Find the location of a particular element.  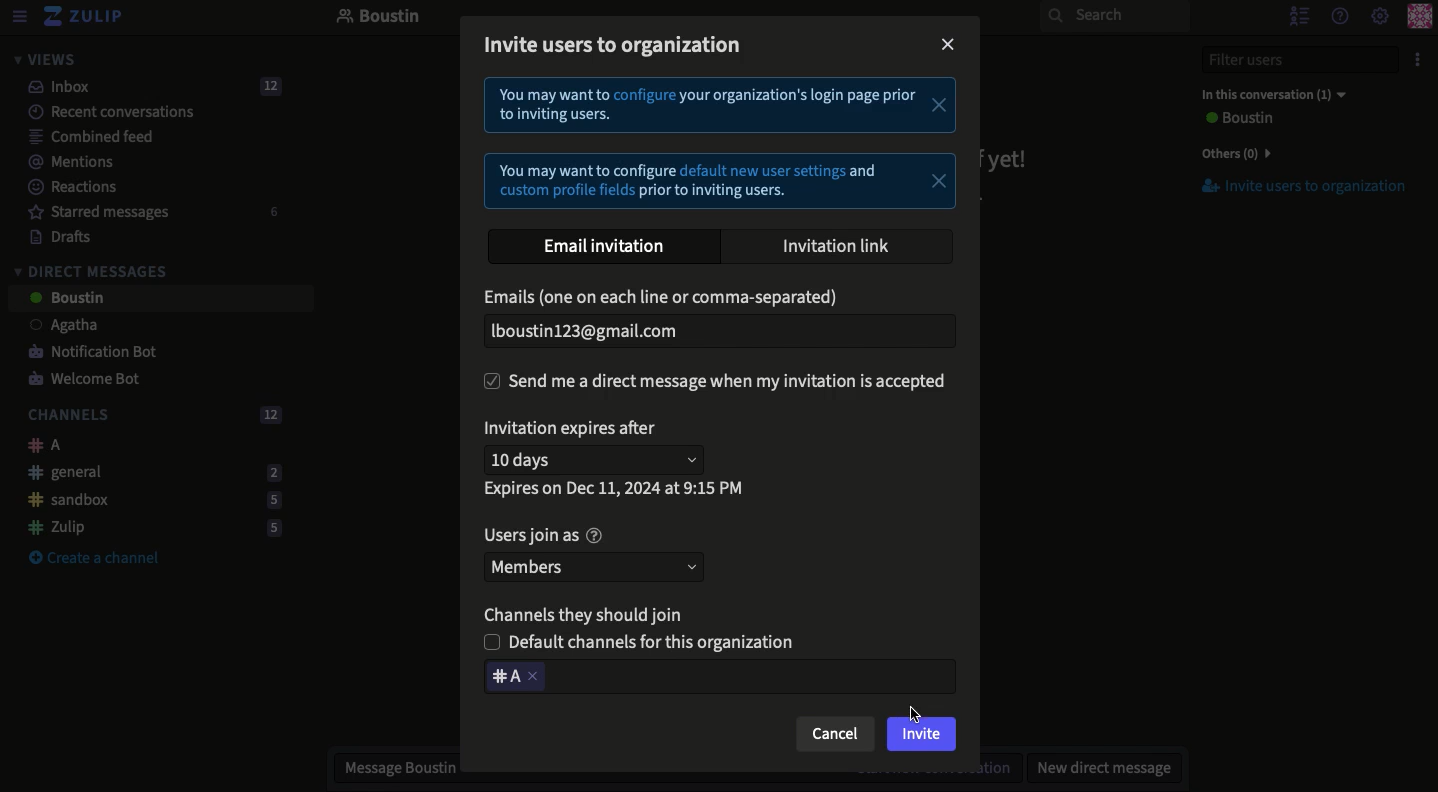

Search  is located at coordinates (1114, 16).